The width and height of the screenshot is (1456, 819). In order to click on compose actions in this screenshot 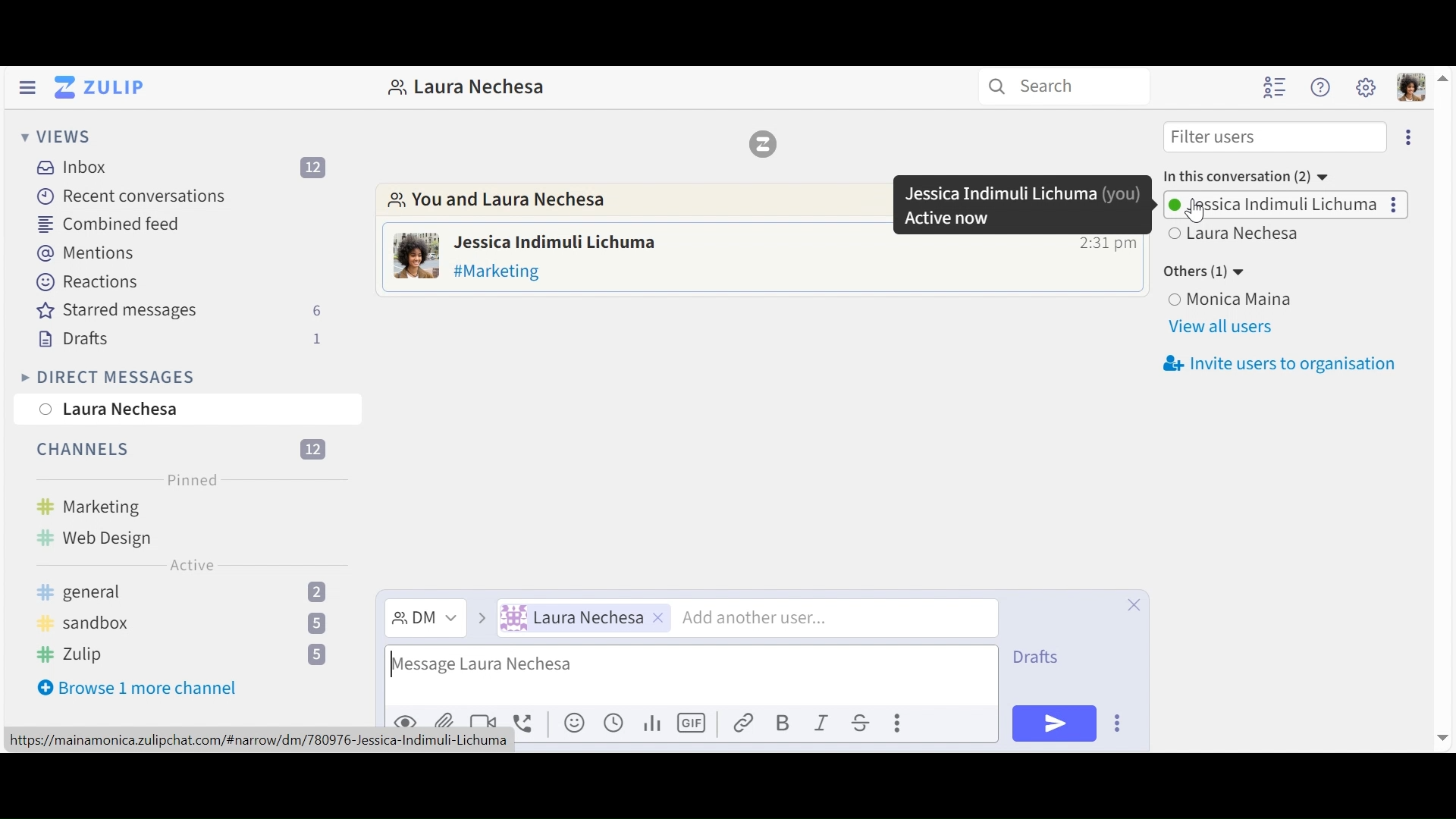, I will do `click(1117, 722)`.